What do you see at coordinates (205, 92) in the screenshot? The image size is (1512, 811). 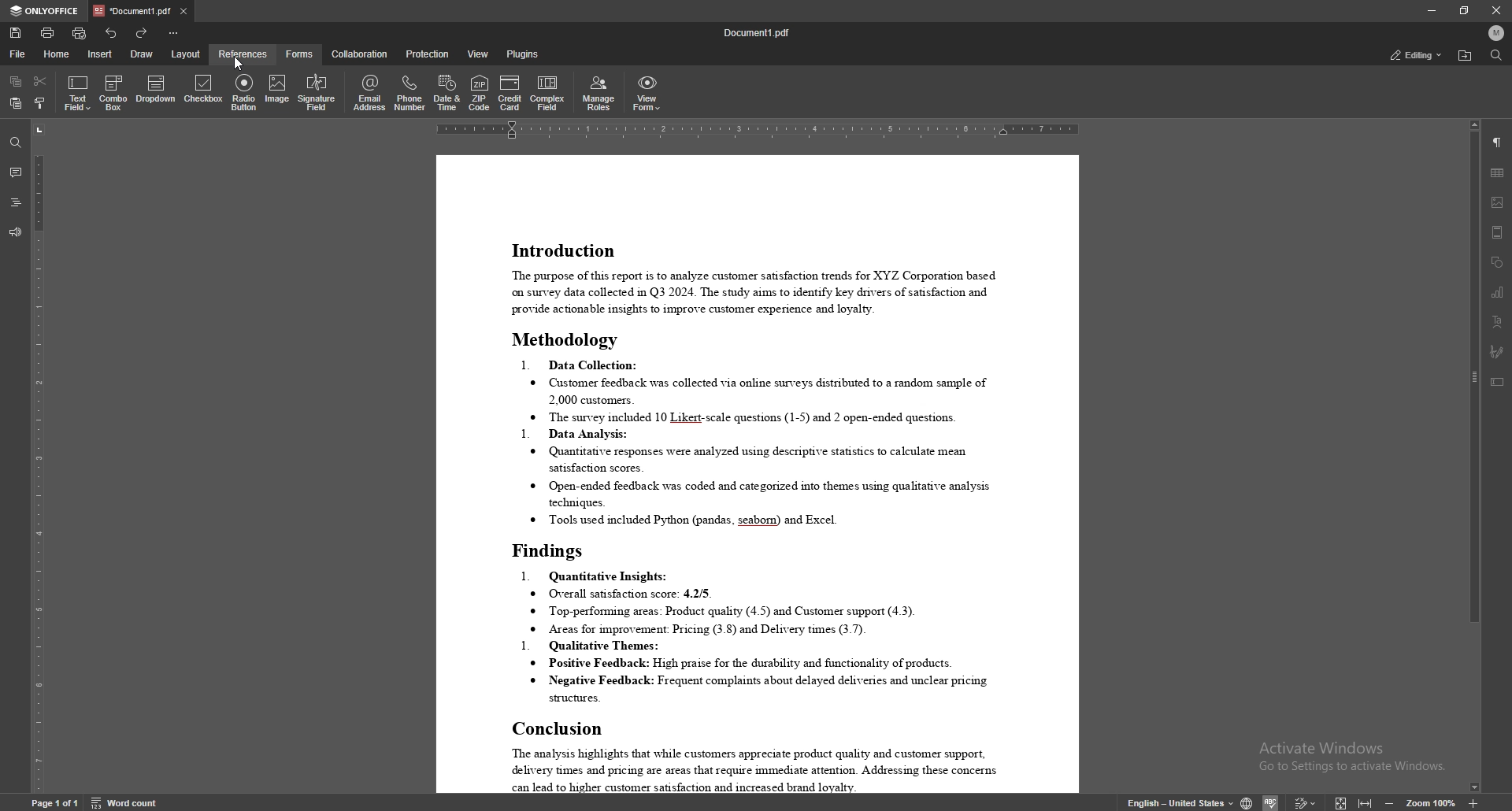 I see `checkbox` at bounding box center [205, 92].